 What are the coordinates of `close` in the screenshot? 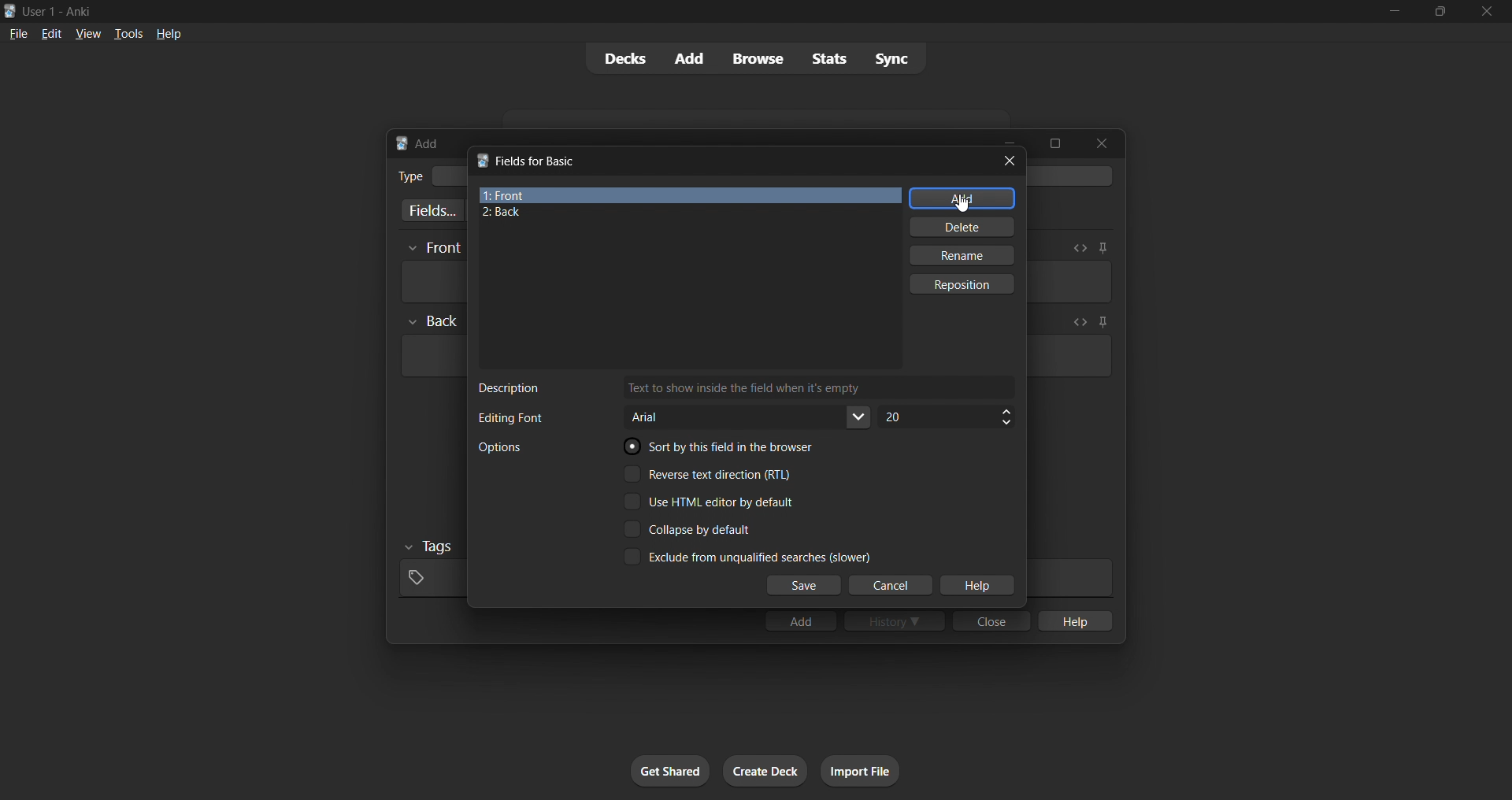 It's located at (1487, 12).